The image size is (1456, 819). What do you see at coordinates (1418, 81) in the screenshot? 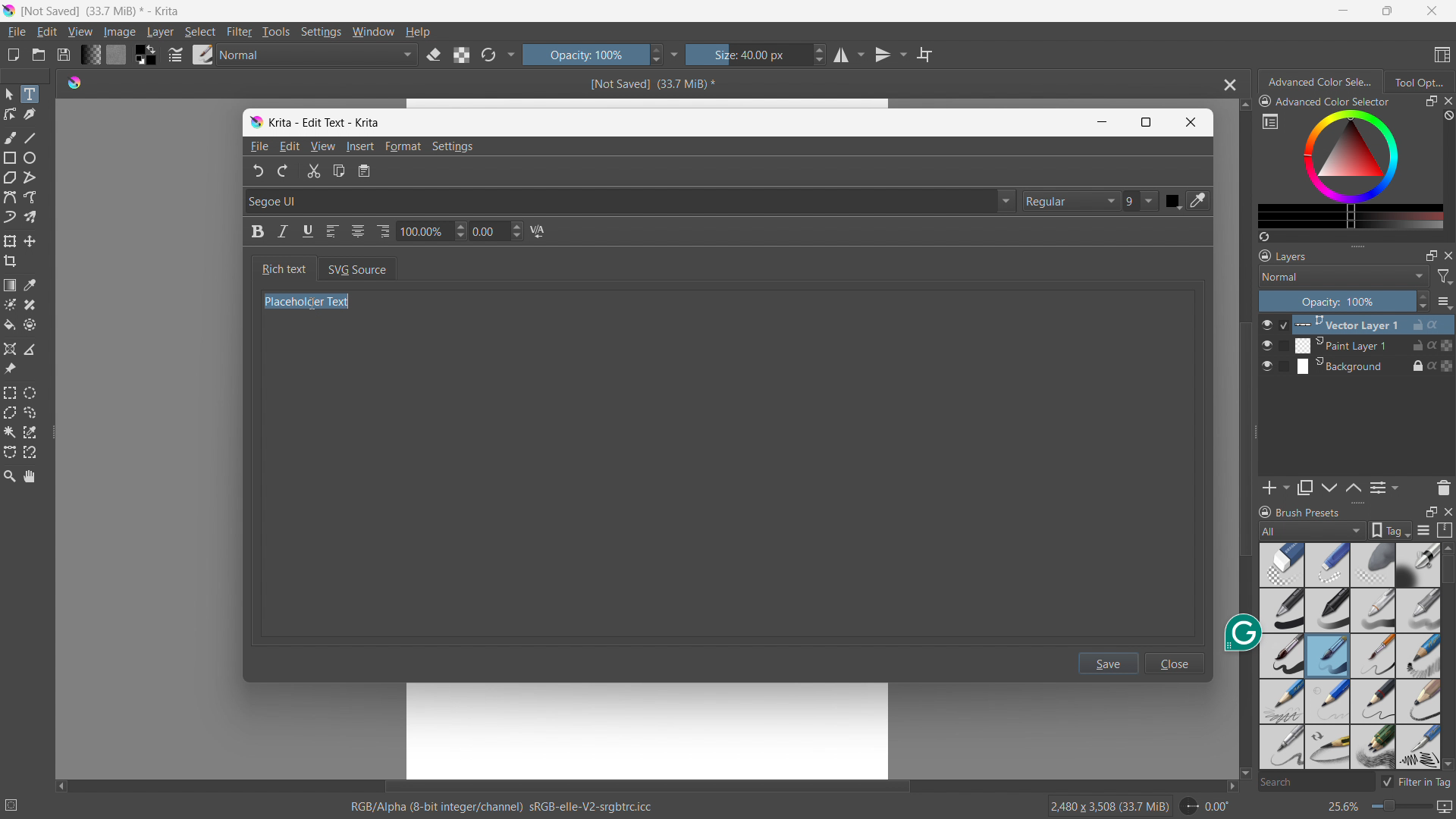
I see `tool options` at bounding box center [1418, 81].